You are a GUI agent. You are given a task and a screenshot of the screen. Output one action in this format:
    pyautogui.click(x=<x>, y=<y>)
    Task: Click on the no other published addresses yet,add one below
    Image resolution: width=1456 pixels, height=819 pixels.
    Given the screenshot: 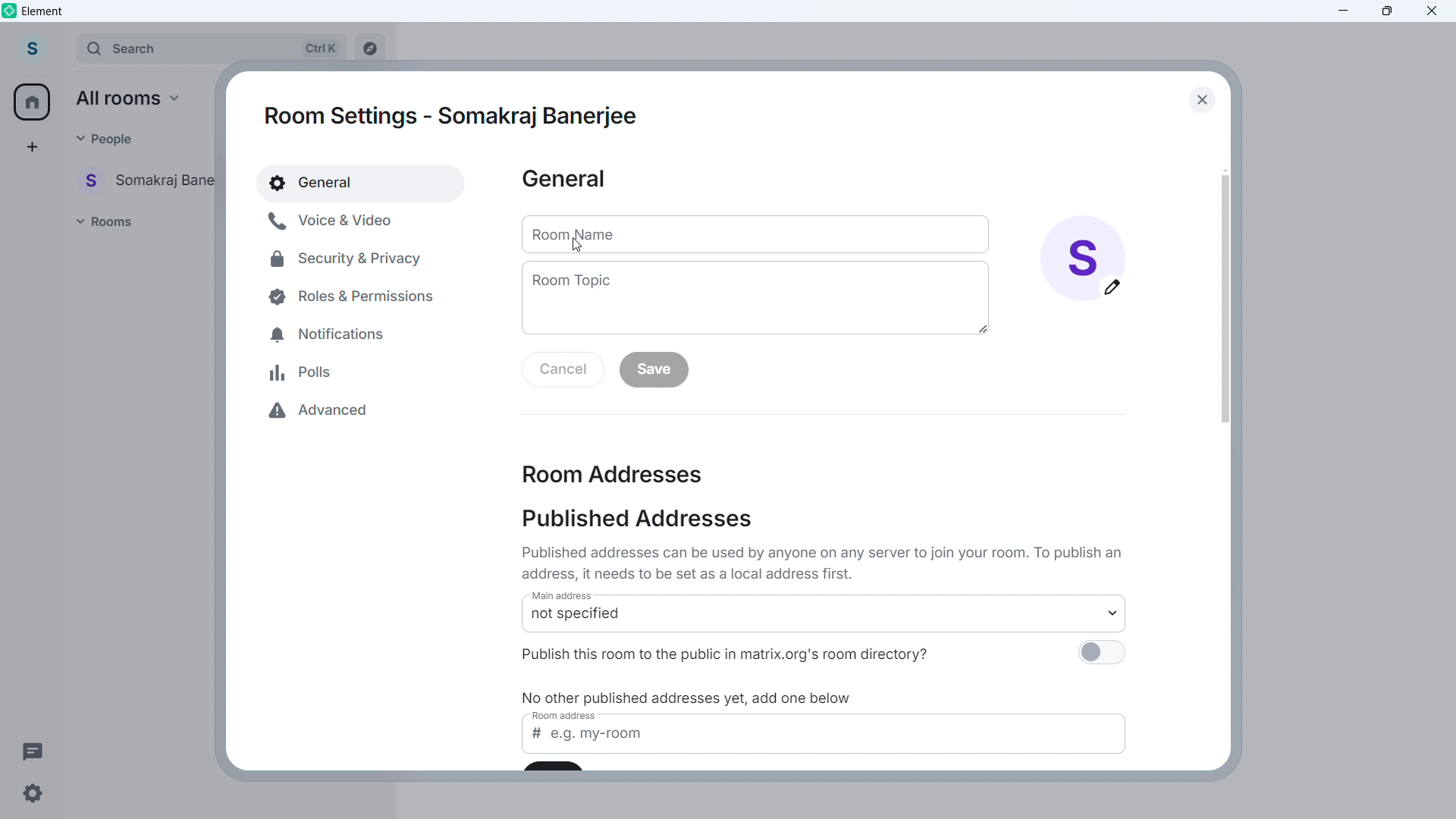 What is the action you would take?
    pyautogui.click(x=691, y=698)
    